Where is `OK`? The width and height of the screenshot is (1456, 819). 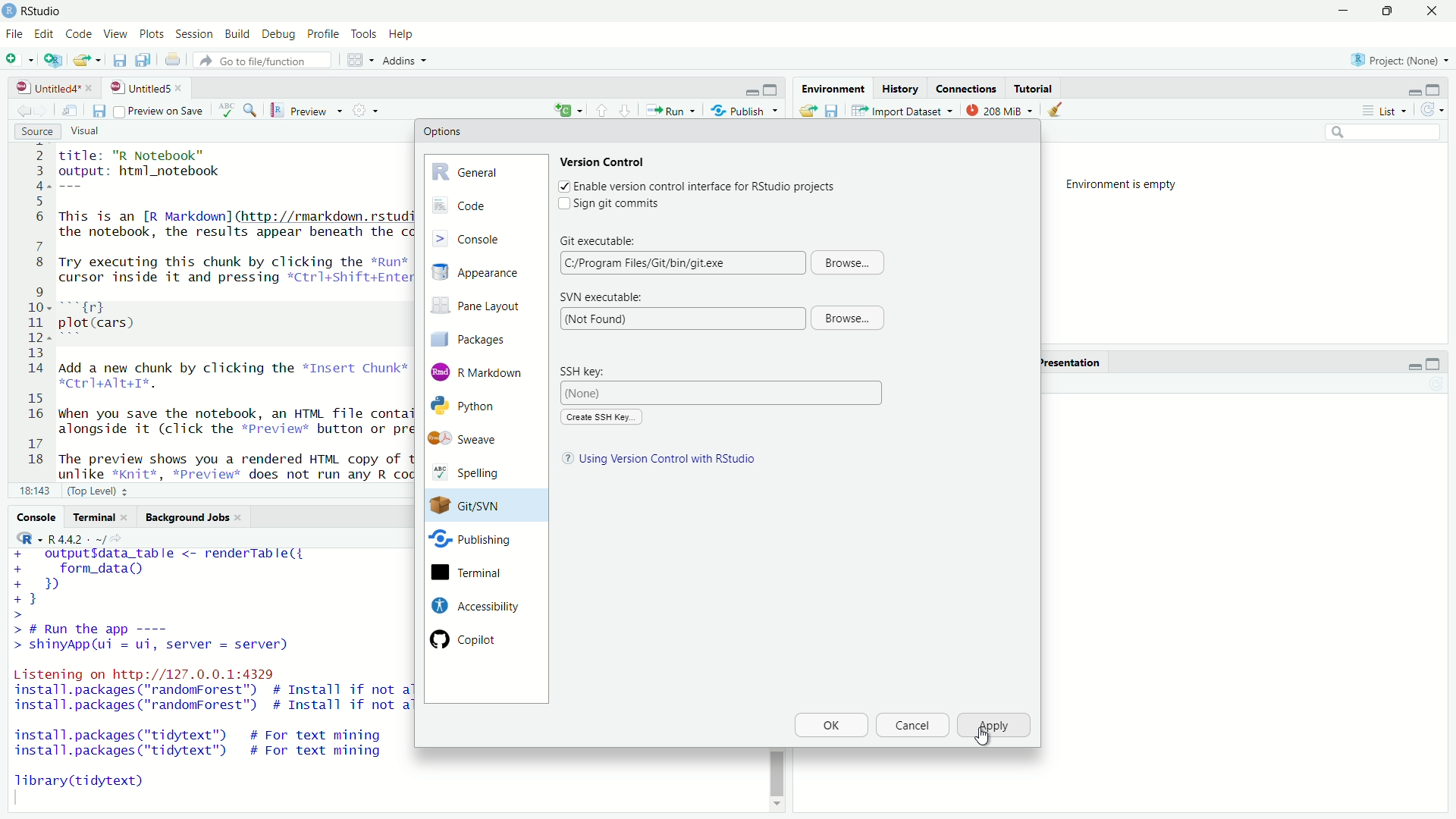 OK is located at coordinates (830, 726).